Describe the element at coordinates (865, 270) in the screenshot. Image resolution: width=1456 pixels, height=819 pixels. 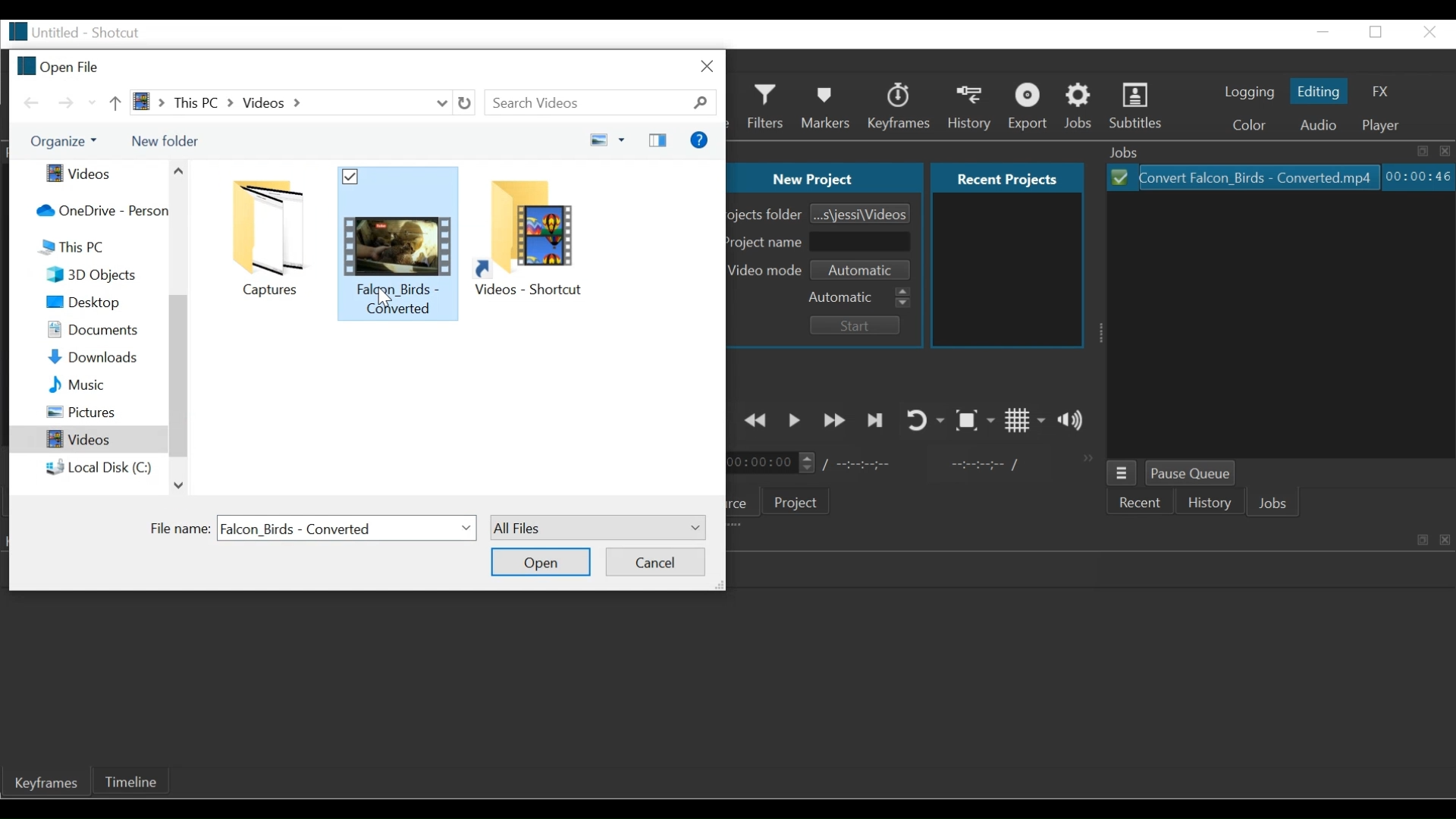
I see `Set Video mode` at that location.